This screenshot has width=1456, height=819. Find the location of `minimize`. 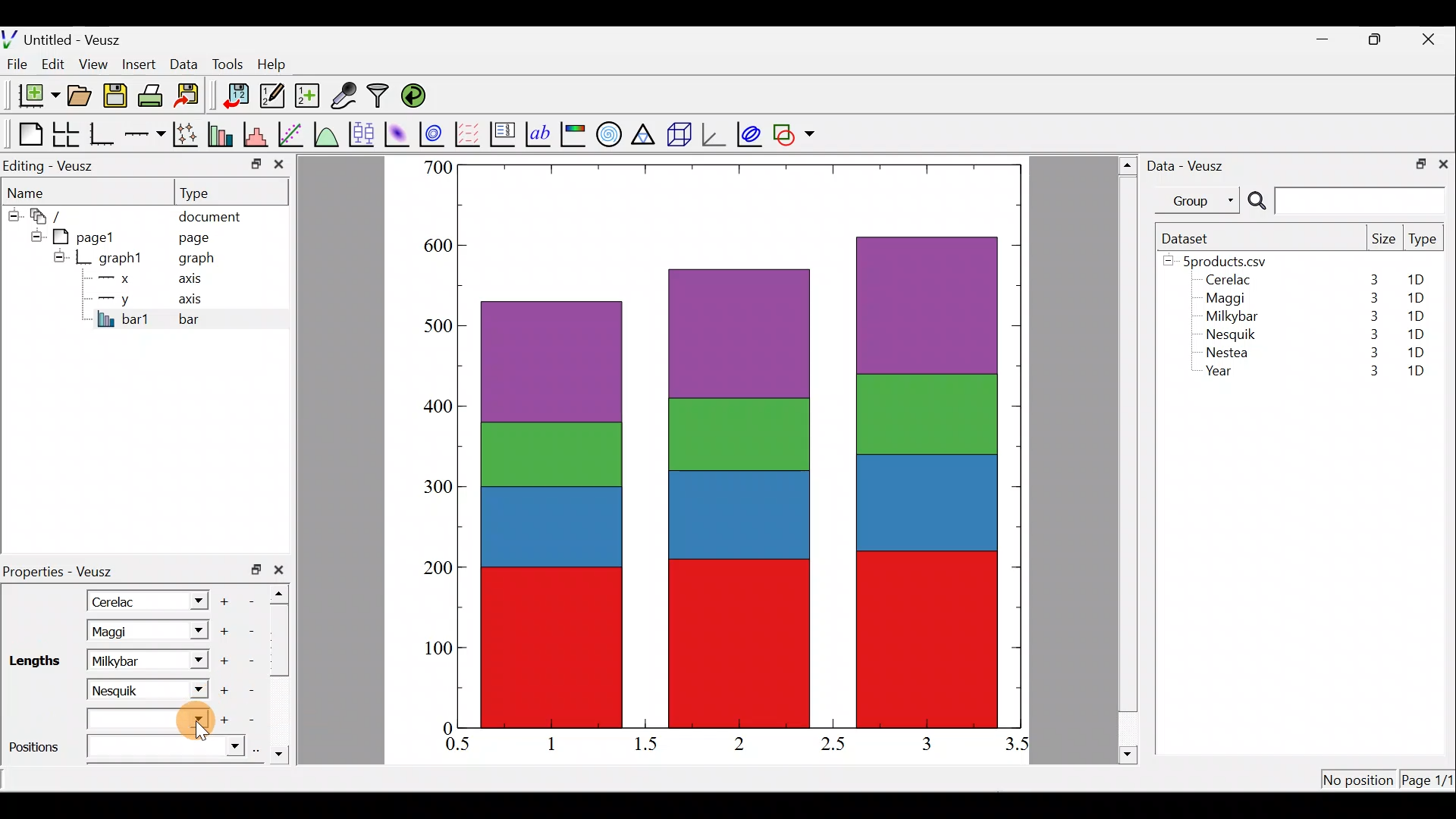

minimize is located at coordinates (255, 163).